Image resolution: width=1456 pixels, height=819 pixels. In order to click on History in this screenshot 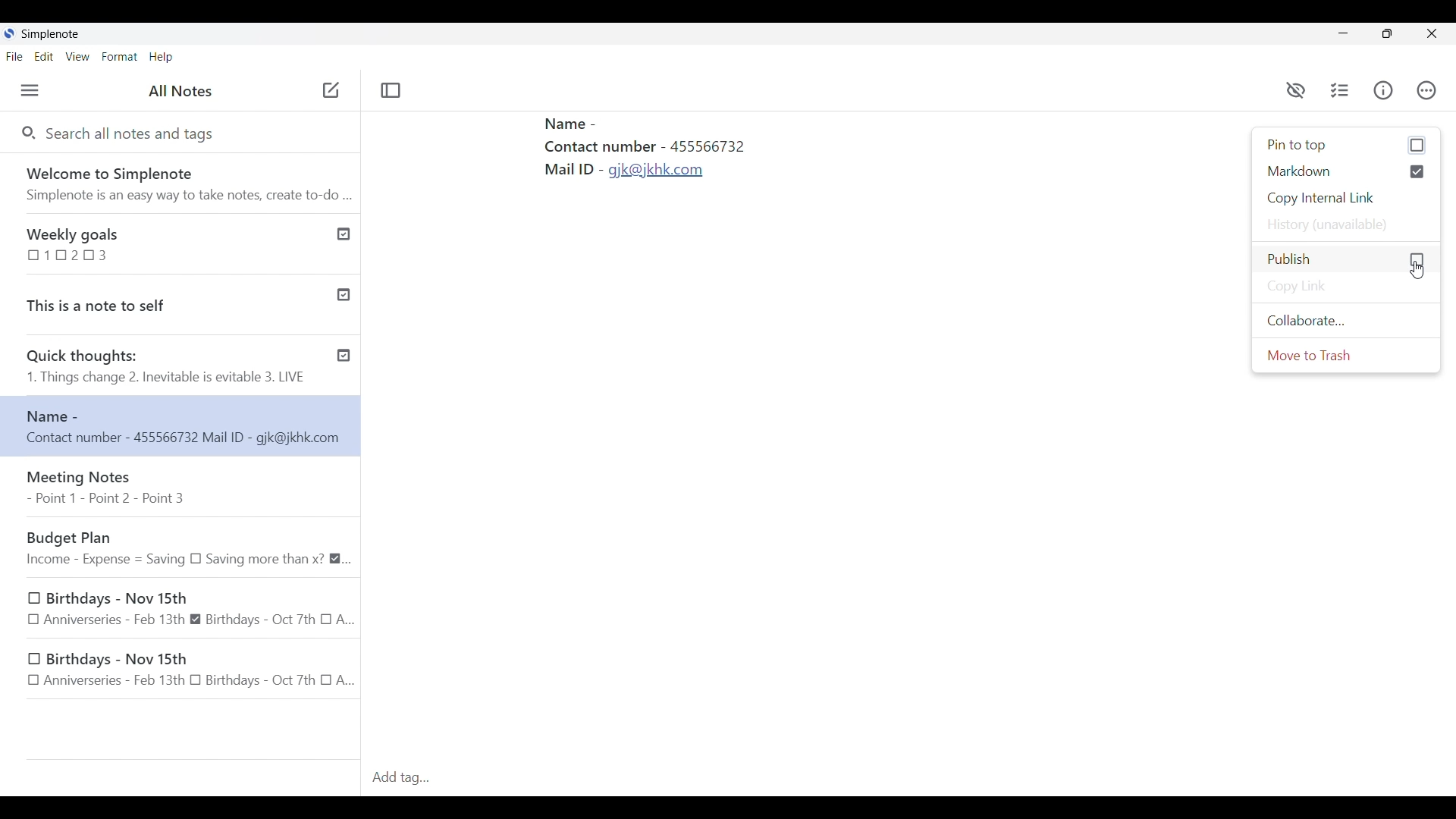, I will do `click(1347, 224)`.